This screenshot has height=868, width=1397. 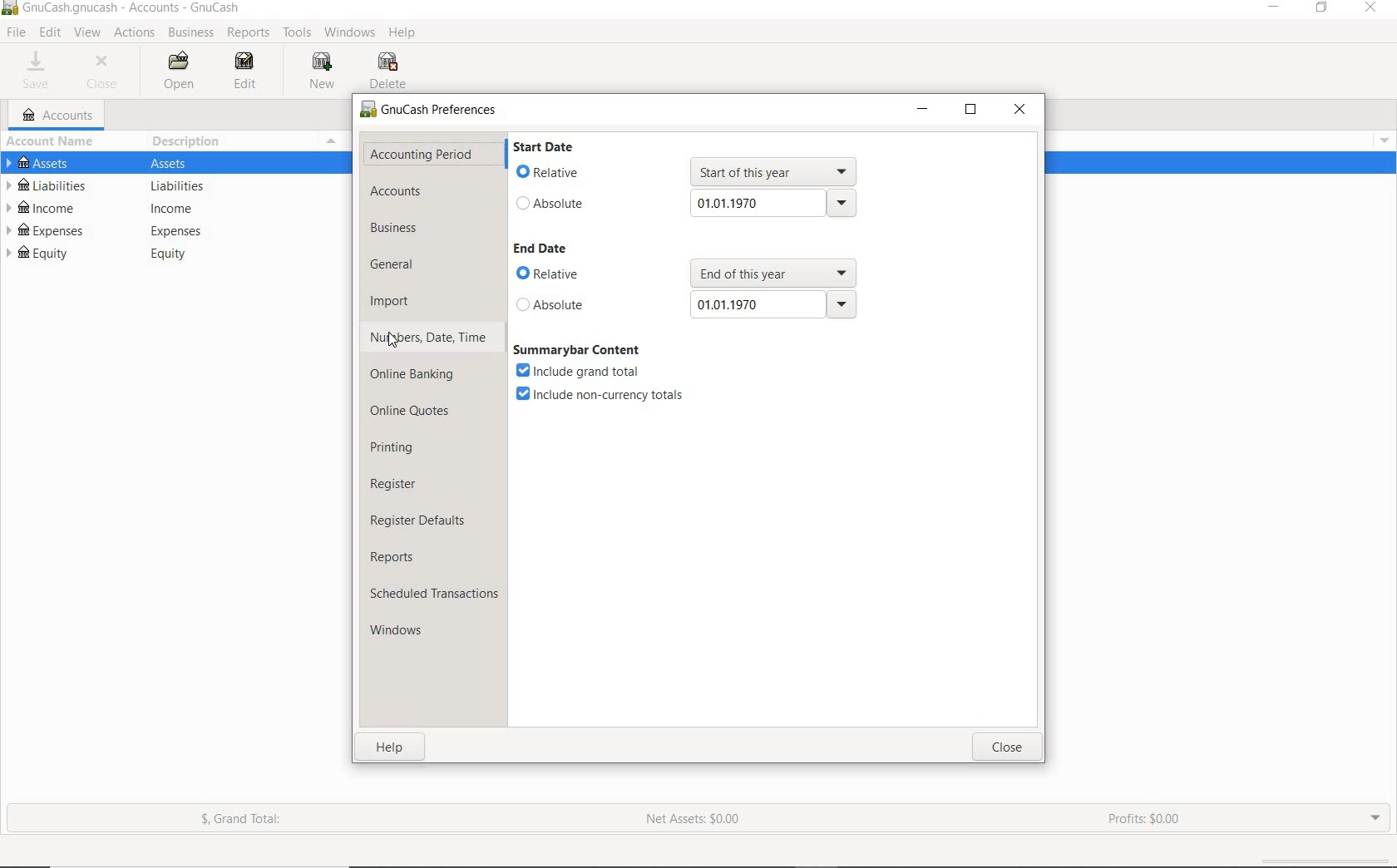 What do you see at coordinates (774, 272) in the screenshot?
I see `end of this year` at bounding box center [774, 272].